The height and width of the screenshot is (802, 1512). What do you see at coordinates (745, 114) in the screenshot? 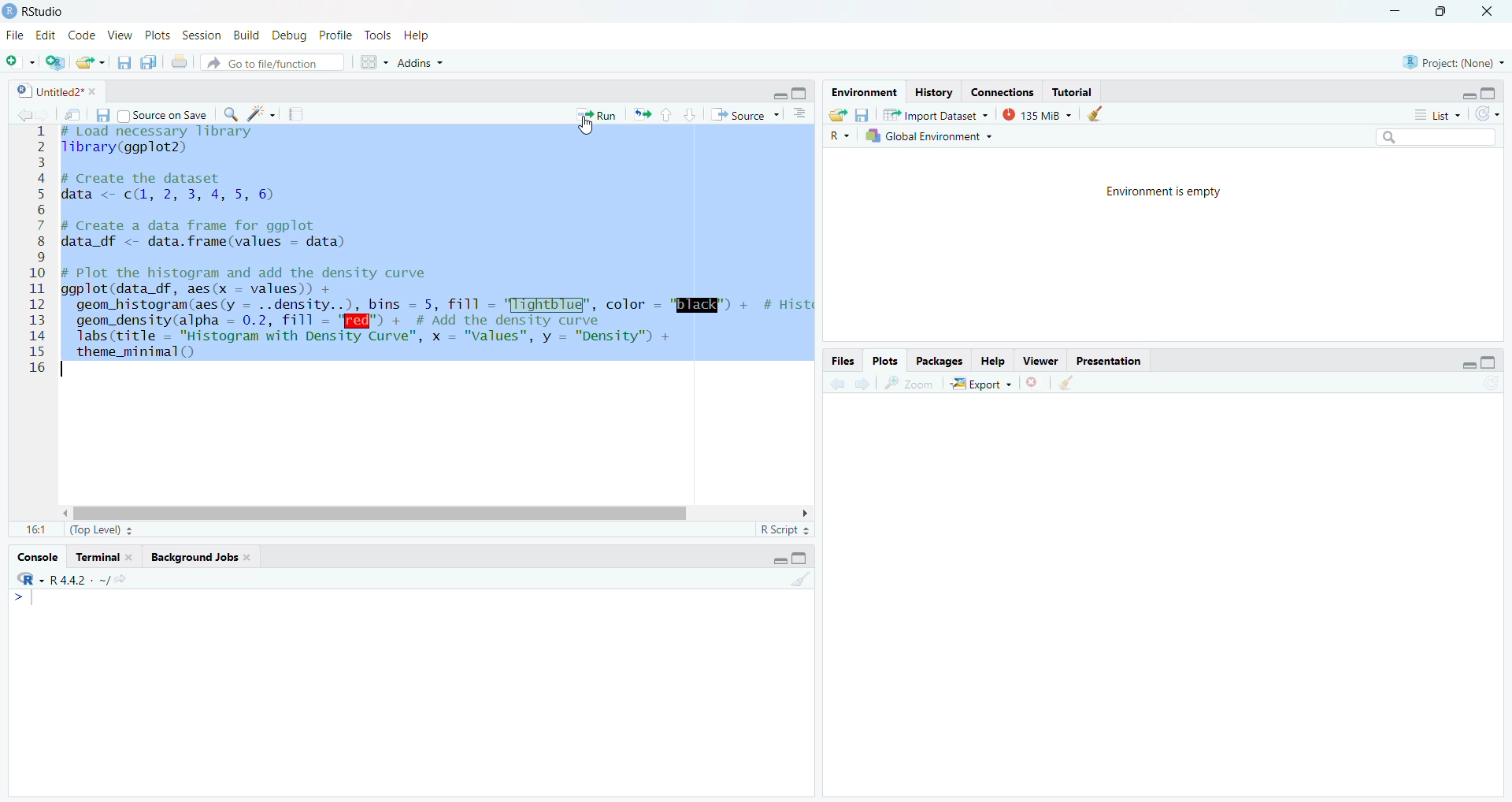
I see `Source` at bounding box center [745, 114].